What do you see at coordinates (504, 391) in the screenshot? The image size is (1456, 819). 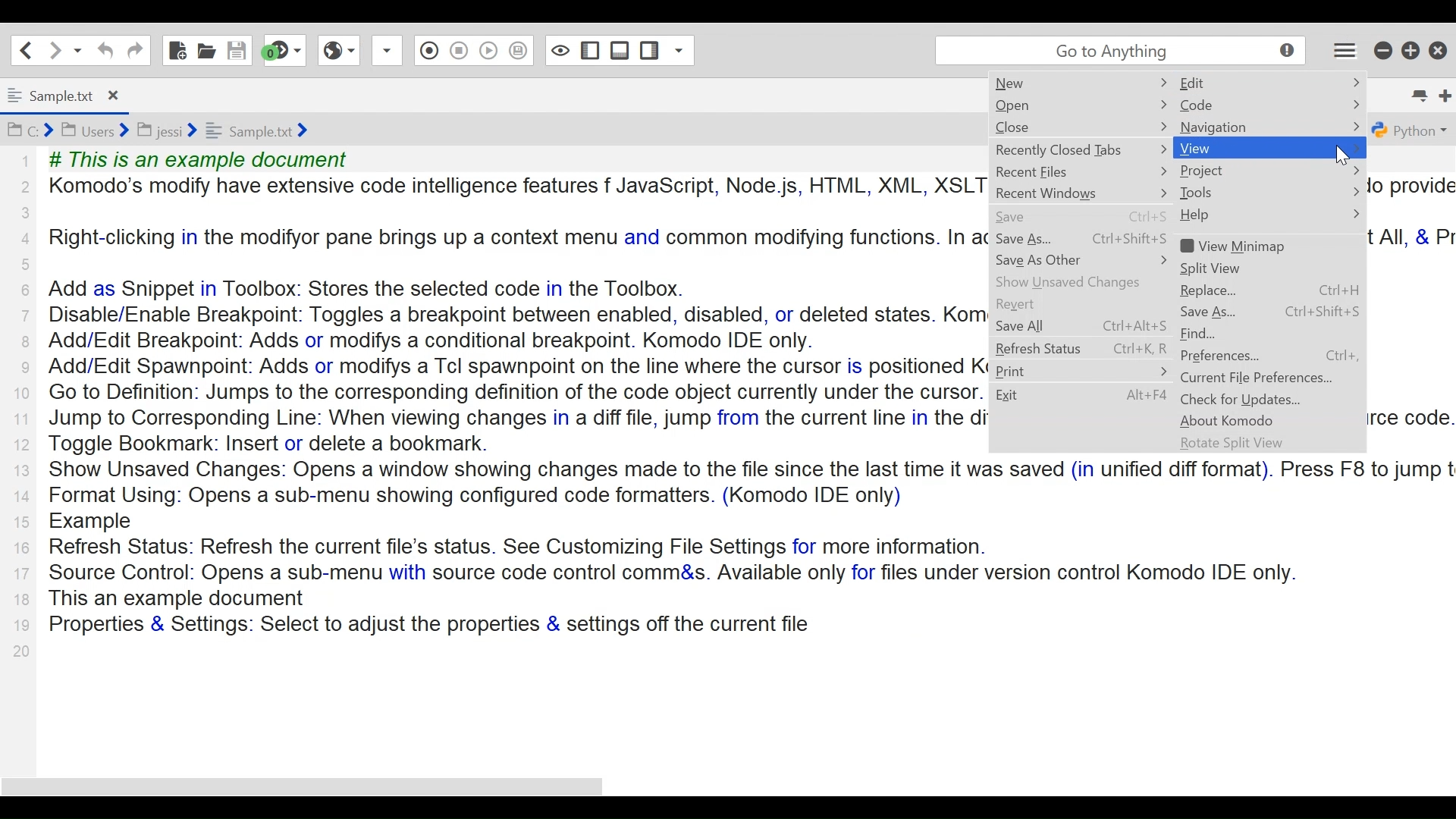 I see `# This is an example document

Komodo’s modify have extensive code intelligence features f JavaScript, Node js, HTML, XML, XSLT, Perl, PHP, Python, Ruby, & Tcl. Komodo provi
Right-clicking in the modifyor pane brings up a context menu and common modifying functions. In addition to st&ard Cut, Copy, Paste, Select All, &
Add as Snippet in Toolbox: Stores the selected code in the Toolbox.

Disable/Enable Breakpoint: Toggles a breakpoint between enabled, disabled, or deleted states. Komodo IDE only.

Add/Edit Breakpoint: Adds or modifys a conditional breakpoint. Komodo IDE only.

Add/Edit Spawnpoint: Adds or modifys a Tcl spawnpoint on the line where the cursor is positioned Komodo IDE only.

Go to Definition: Jumps to the corresponding definition of the code object currently under the cursor. See Go to Definition.

Jump to Corresponding Line: When viewing changes in a diff file, jump from the current line in the diff to the corresponding line in the the source cod
Toggle Bookmark: Insert or delete a bookmark.

Show Unsaved Changes: Opens a window showing changes made to the file since the last time it was saved (in unified diff format). Press F8 to jump
Format Using: Opens a sub-menu showing configured code formatters. (Komodo IDE only)

Example

Refresh Status: Refresh the current file's status. See Customizing File Settings for more information.

Source Control: Opens a sub-menu with source code control comm&s. Available only for files under version control Komodo IDE only.

This an example document

Properties & Settings: Select to adjust the properties & settings off the current file` at bounding box center [504, 391].